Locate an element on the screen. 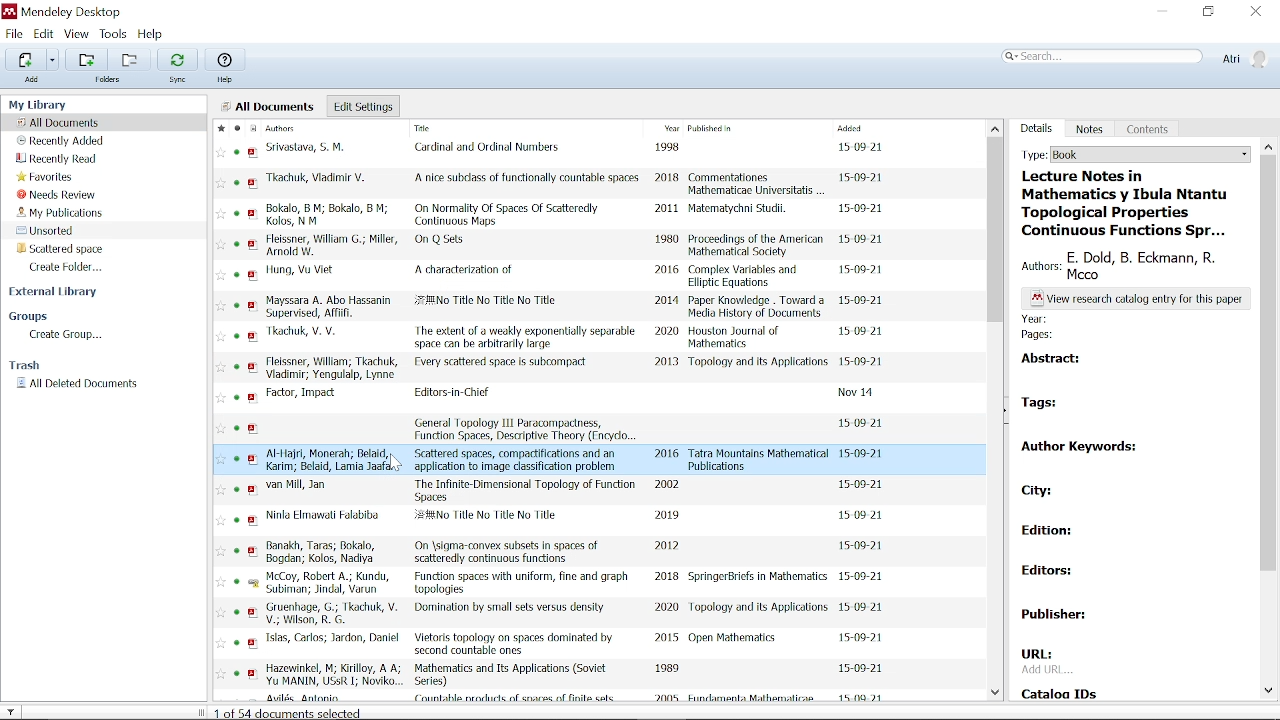 The image size is (1280, 720). date is located at coordinates (861, 638).